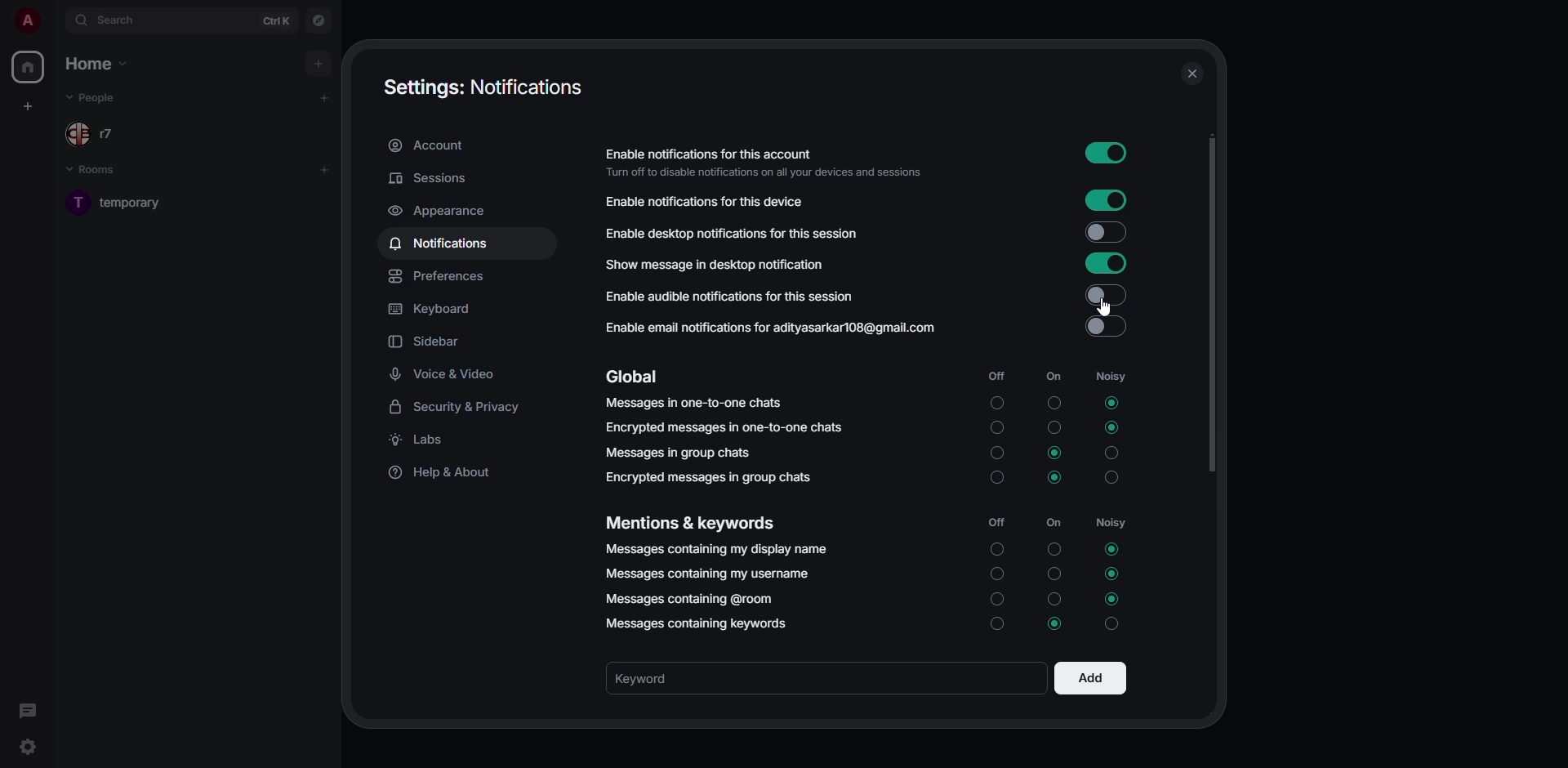 The width and height of the screenshot is (1568, 768). I want to click on expand, so click(56, 21).